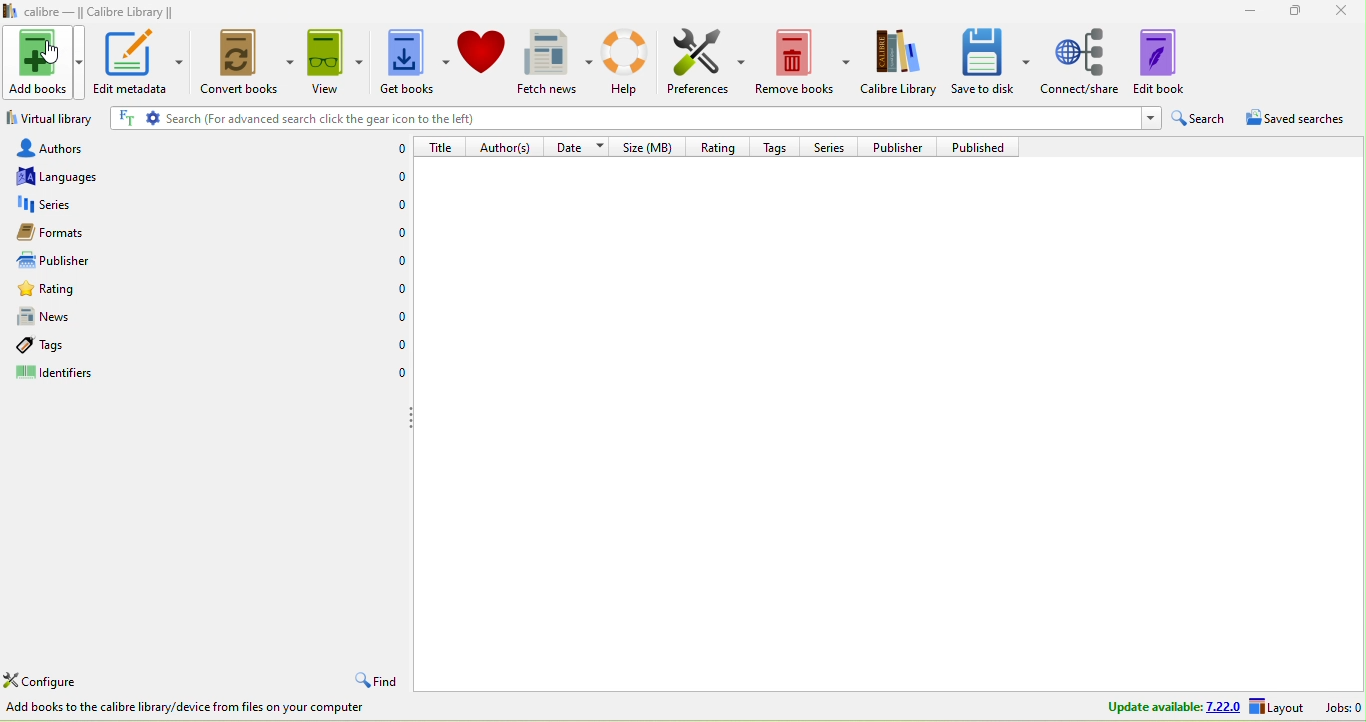 This screenshot has width=1366, height=722. What do you see at coordinates (86, 290) in the screenshot?
I see `rating` at bounding box center [86, 290].